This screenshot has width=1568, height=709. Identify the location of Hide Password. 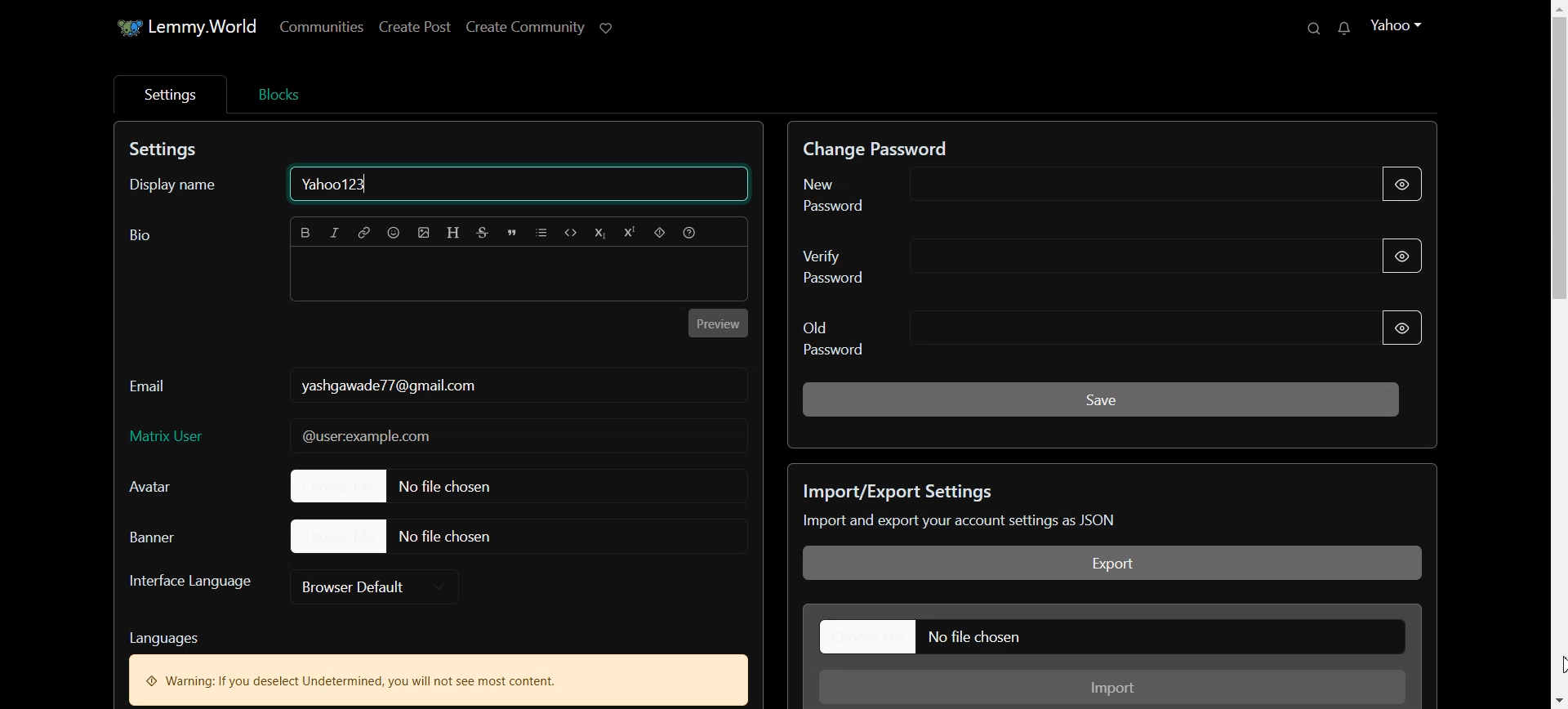
(1405, 185).